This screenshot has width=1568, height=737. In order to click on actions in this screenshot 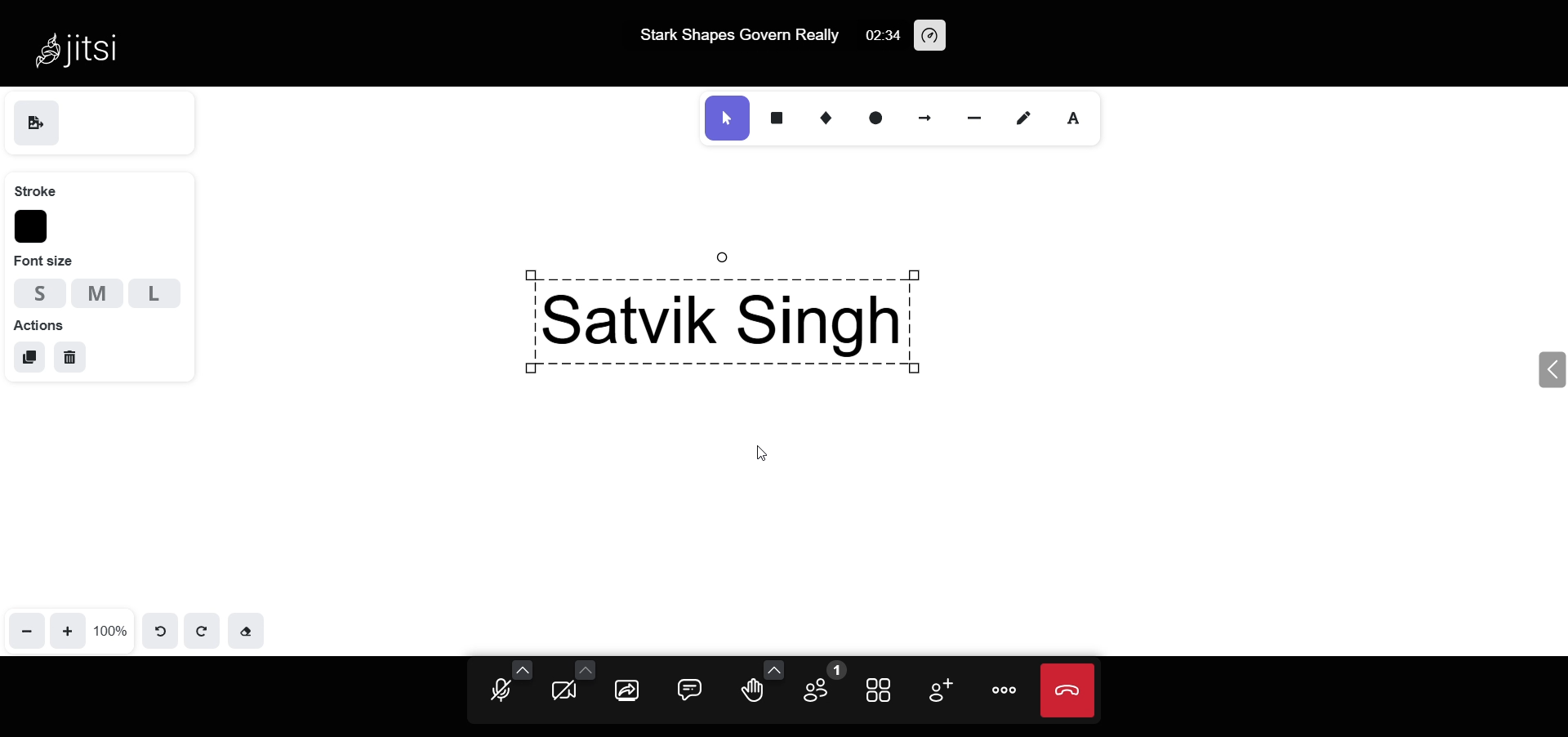, I will do `click(39, 324)`.